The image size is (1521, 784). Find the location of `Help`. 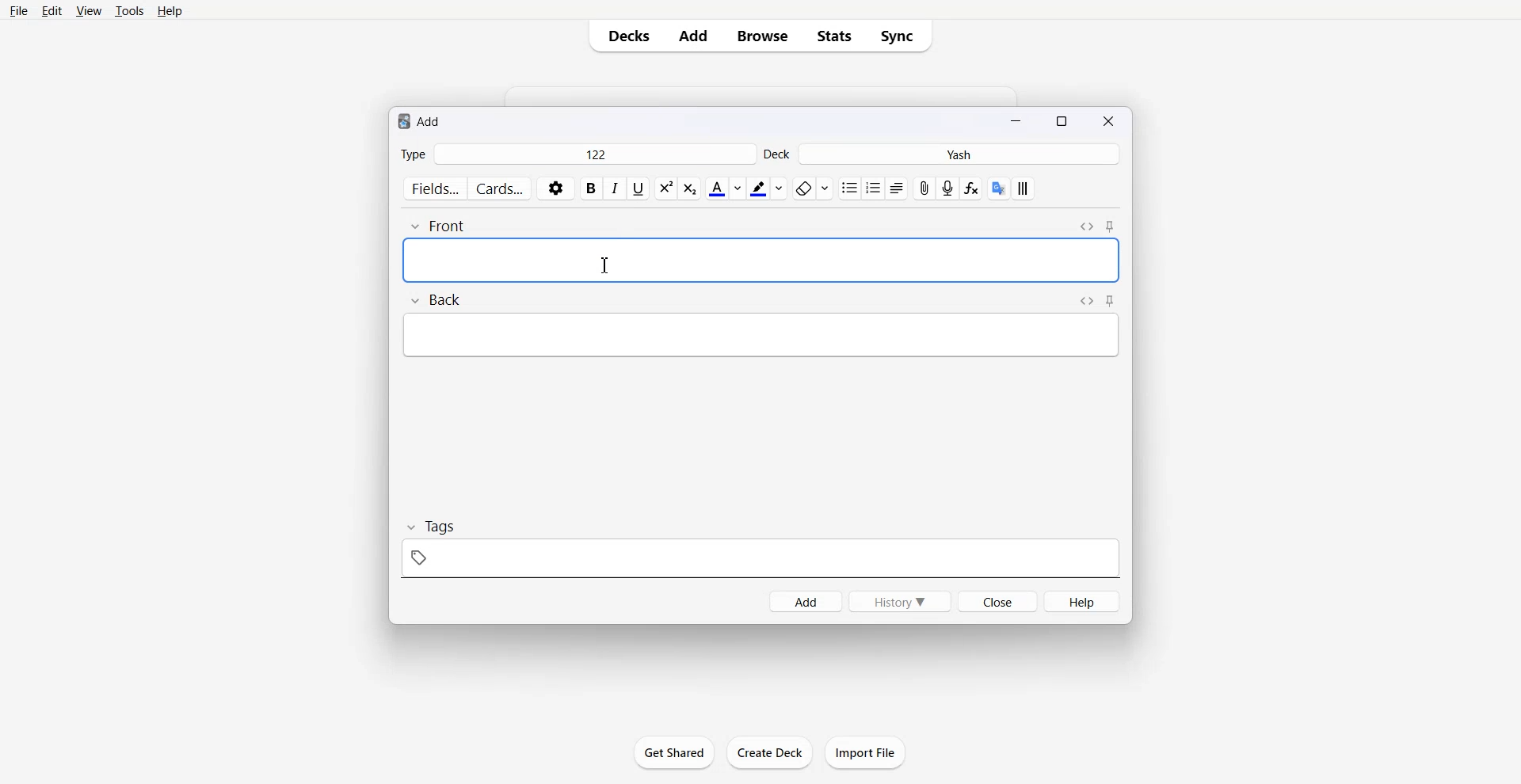

Help is located at coordinates (1083, 601).